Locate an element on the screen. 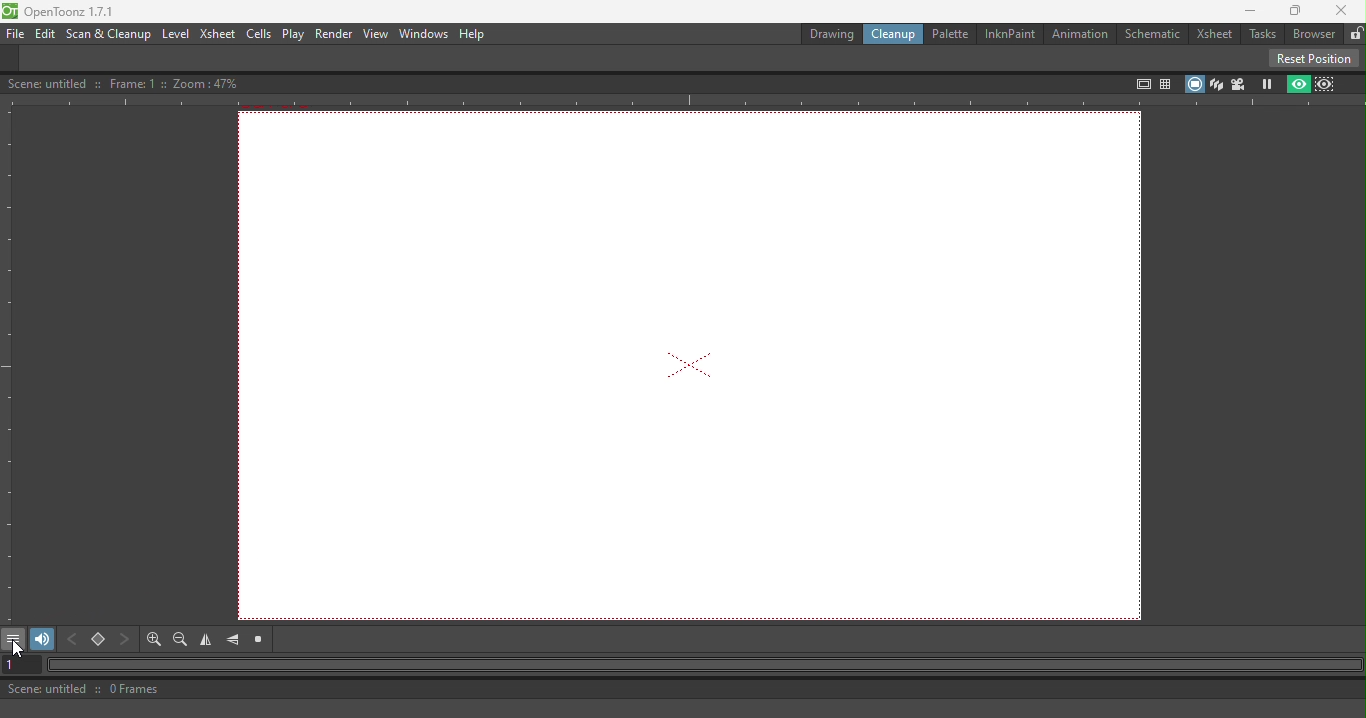  InknPaint is located at coordinates (1013, 33).